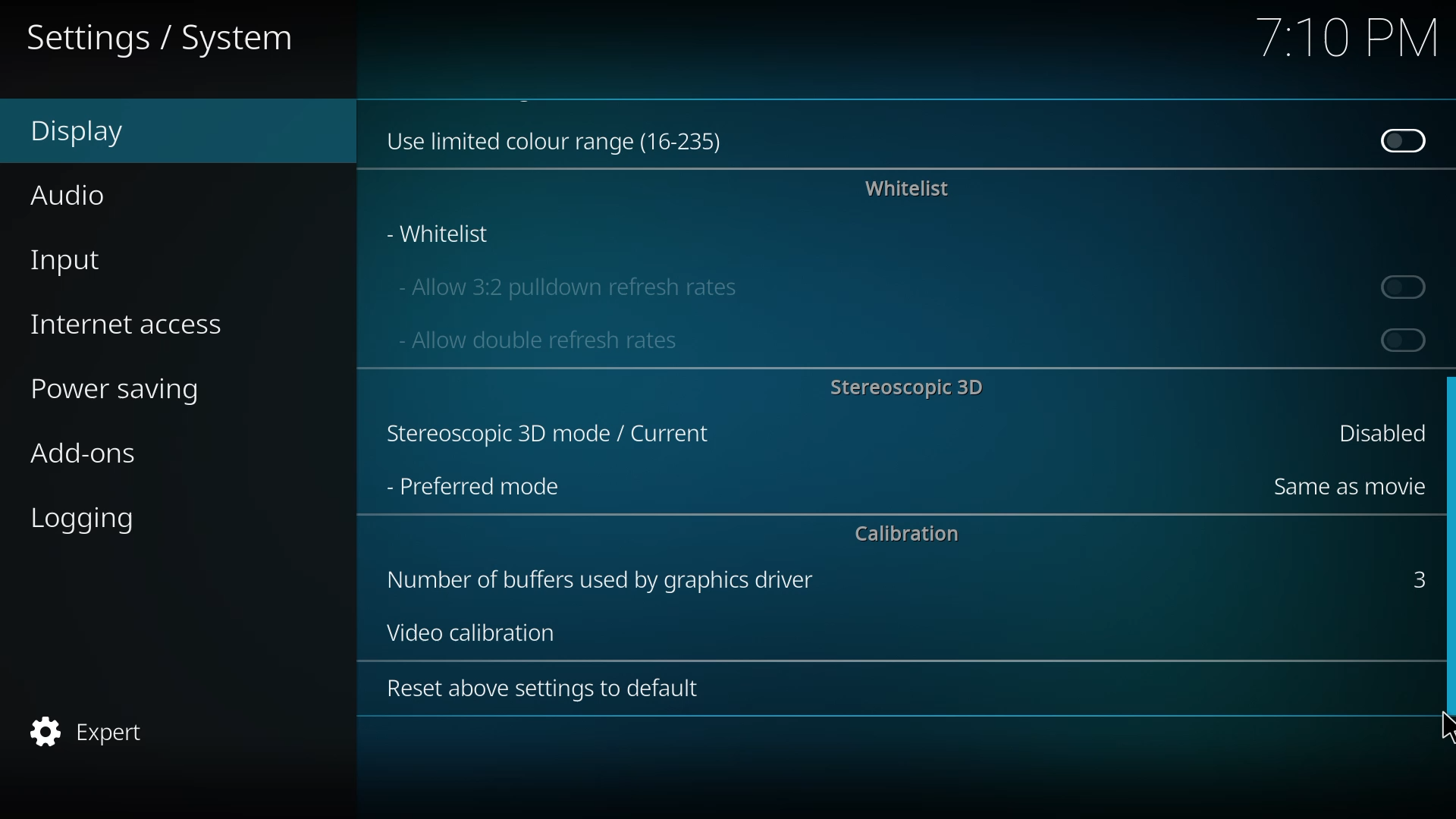  What do you see at coordinates (165, 39) in the screenshot?
I see `system` at bounding box center [165, 39].